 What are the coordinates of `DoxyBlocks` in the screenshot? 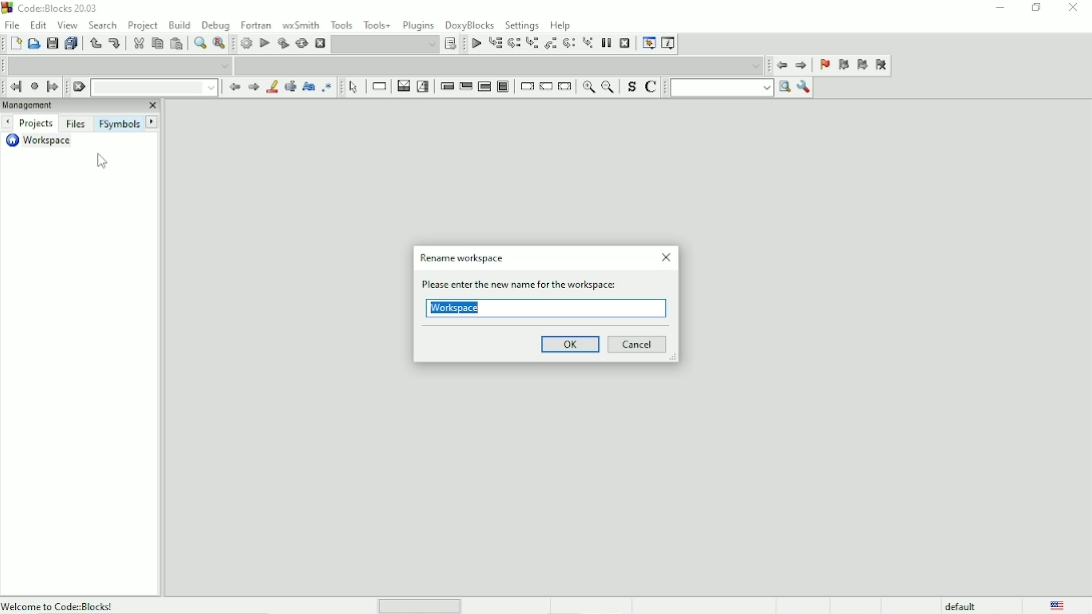 It's located at (470, 23).